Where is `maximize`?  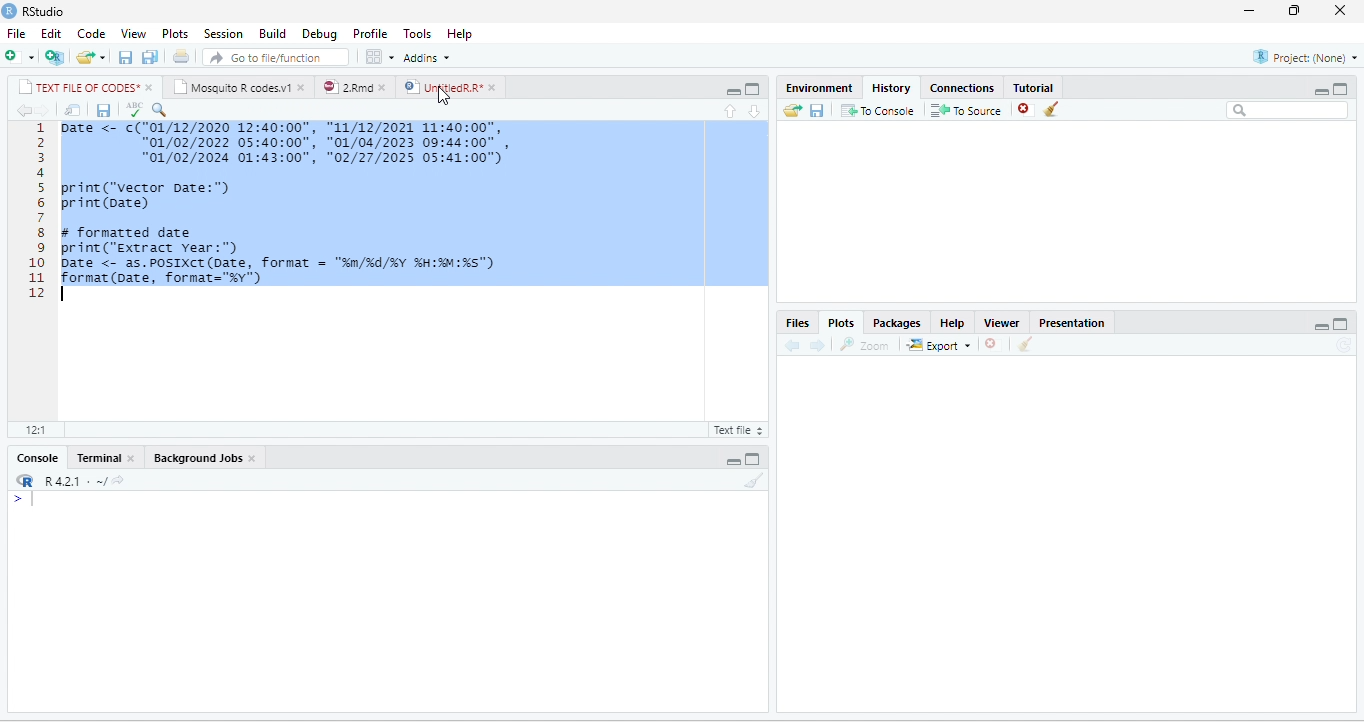
maximize is located at coordinates (752, 458).